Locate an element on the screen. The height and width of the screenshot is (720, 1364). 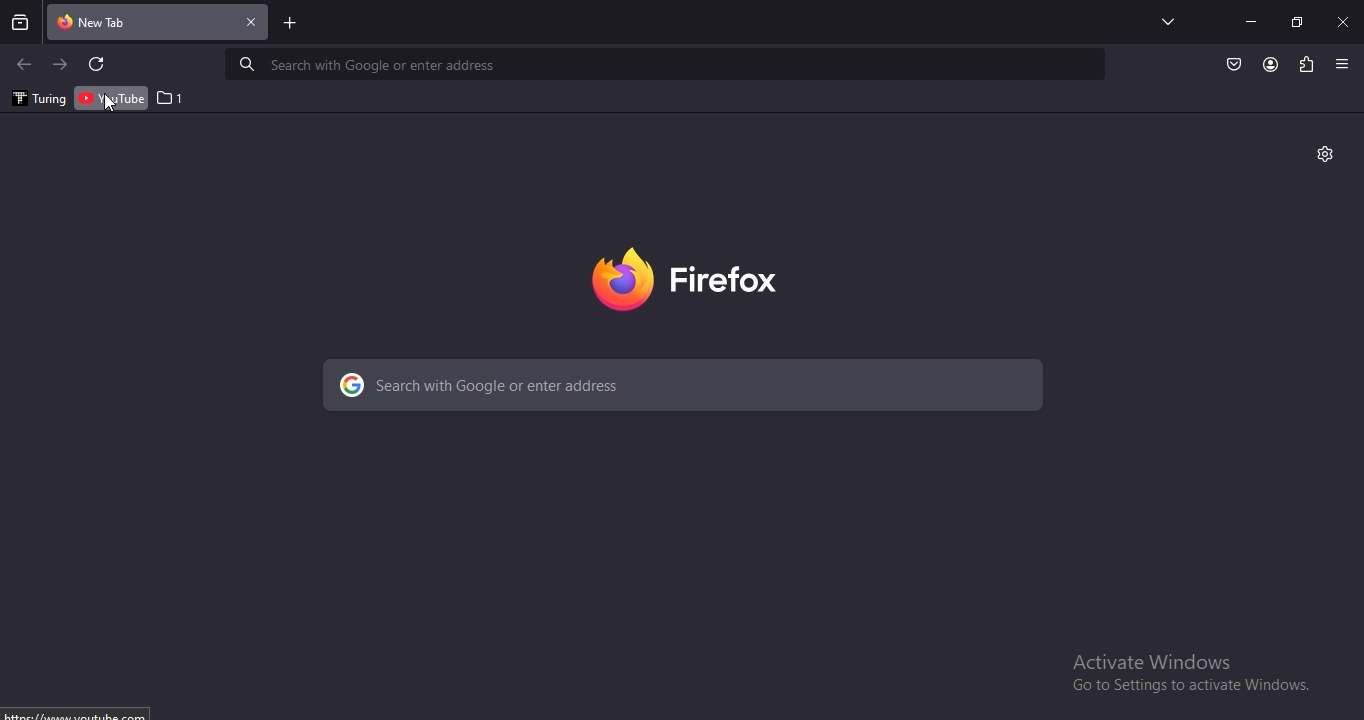
 is located at coordinates (1234, 65).